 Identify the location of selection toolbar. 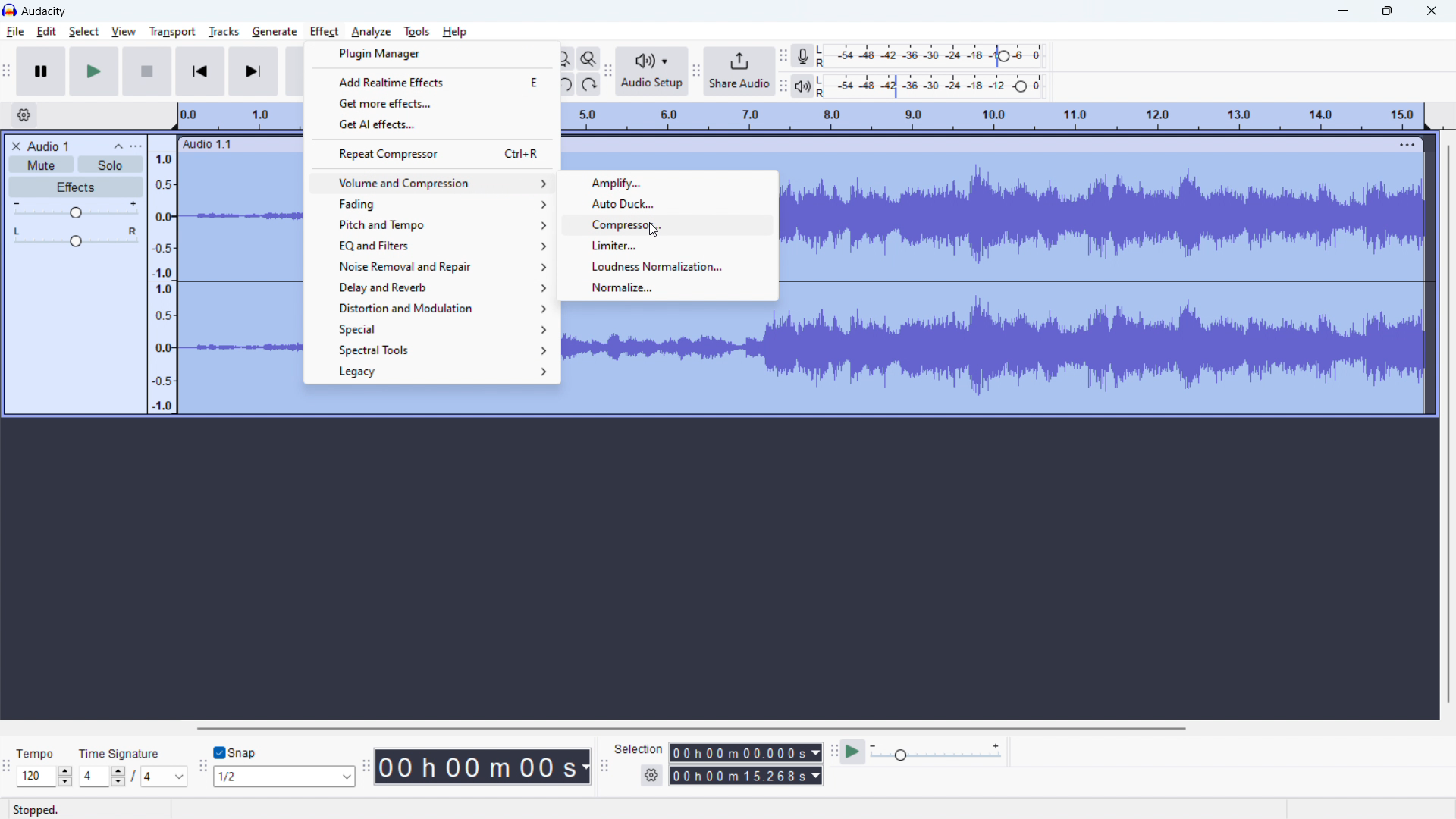
(604, 766).